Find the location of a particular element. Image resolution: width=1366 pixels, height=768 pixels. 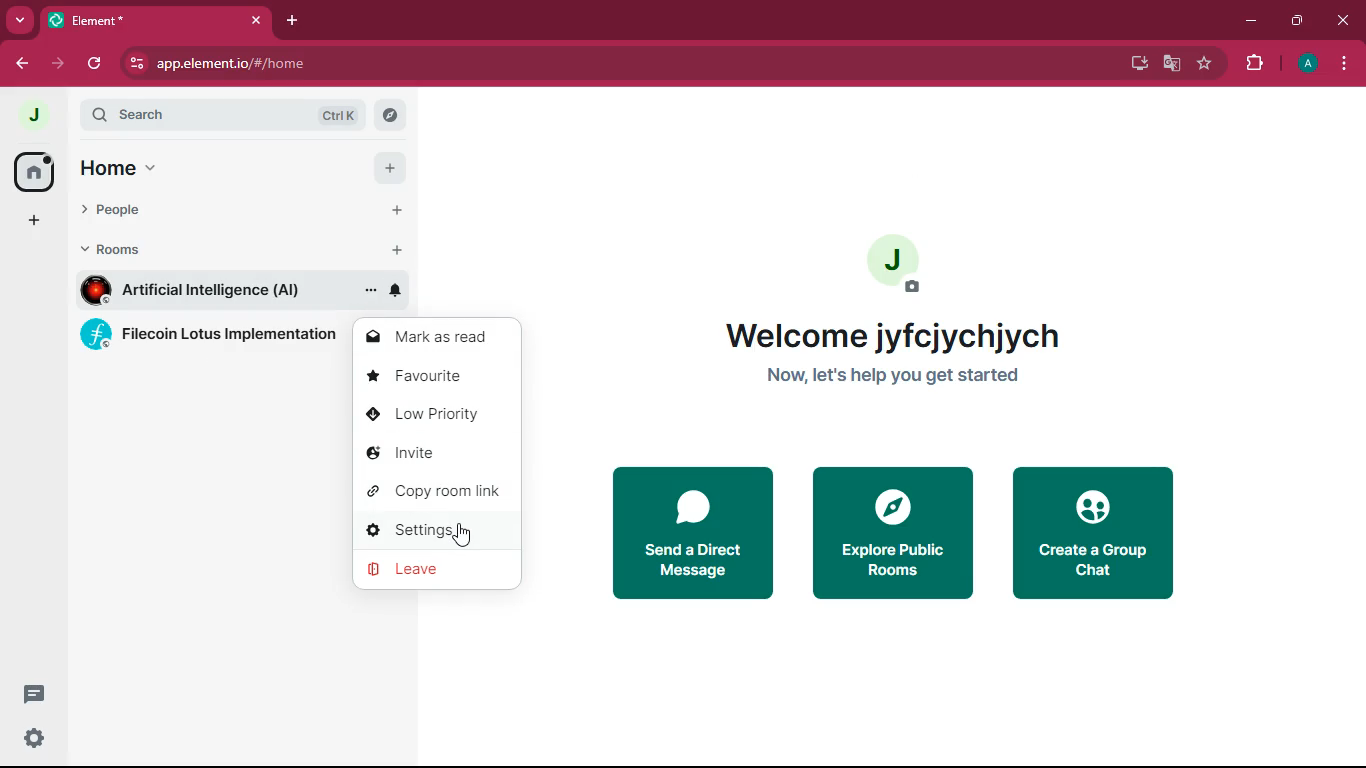

add tab is located at coordinates (296, 22).